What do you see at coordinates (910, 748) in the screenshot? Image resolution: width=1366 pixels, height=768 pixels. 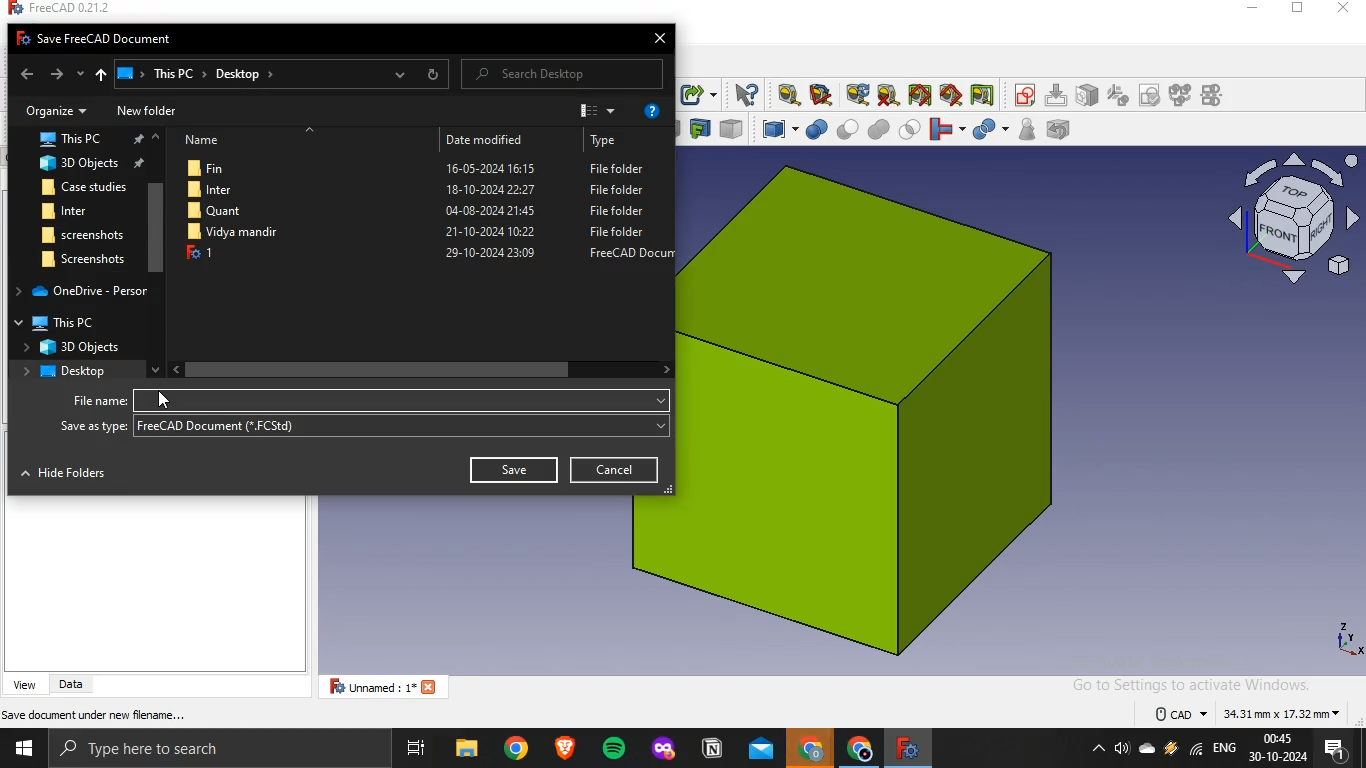 I see `freecad` at bounding box center [910, 748].